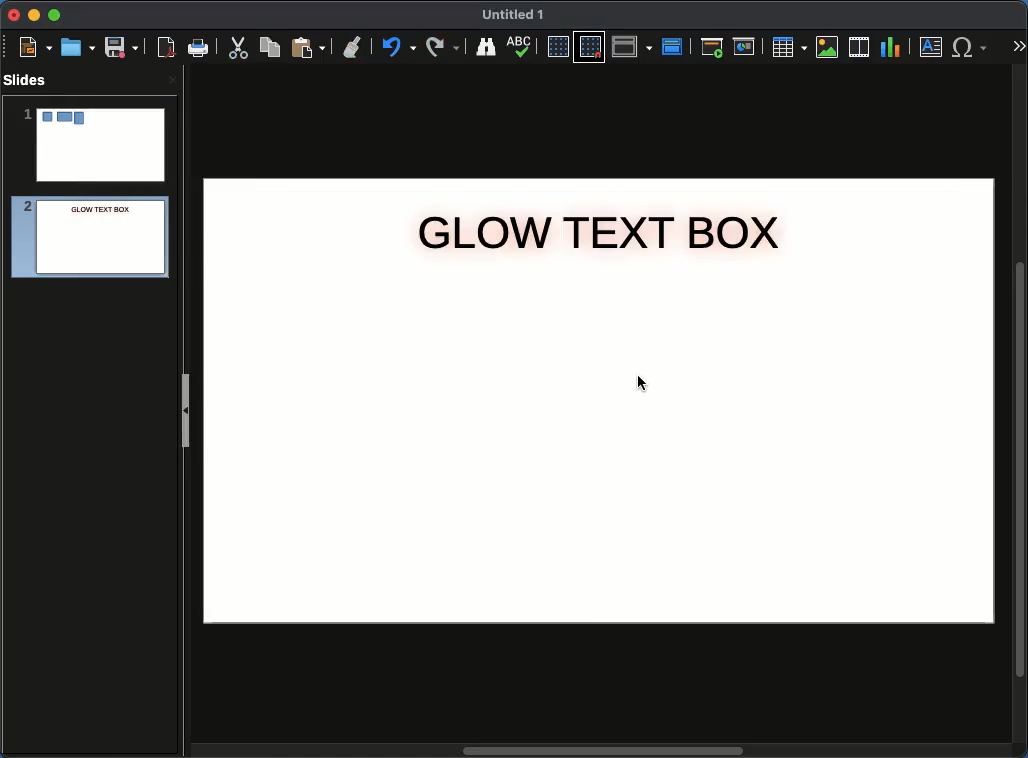 Image resolution: width=1028 pixels, height=758 pixels. What do you see at coordinates (592, 46) in the screenshot?
I see `Snap to grid` at bounding box center [592, 46].